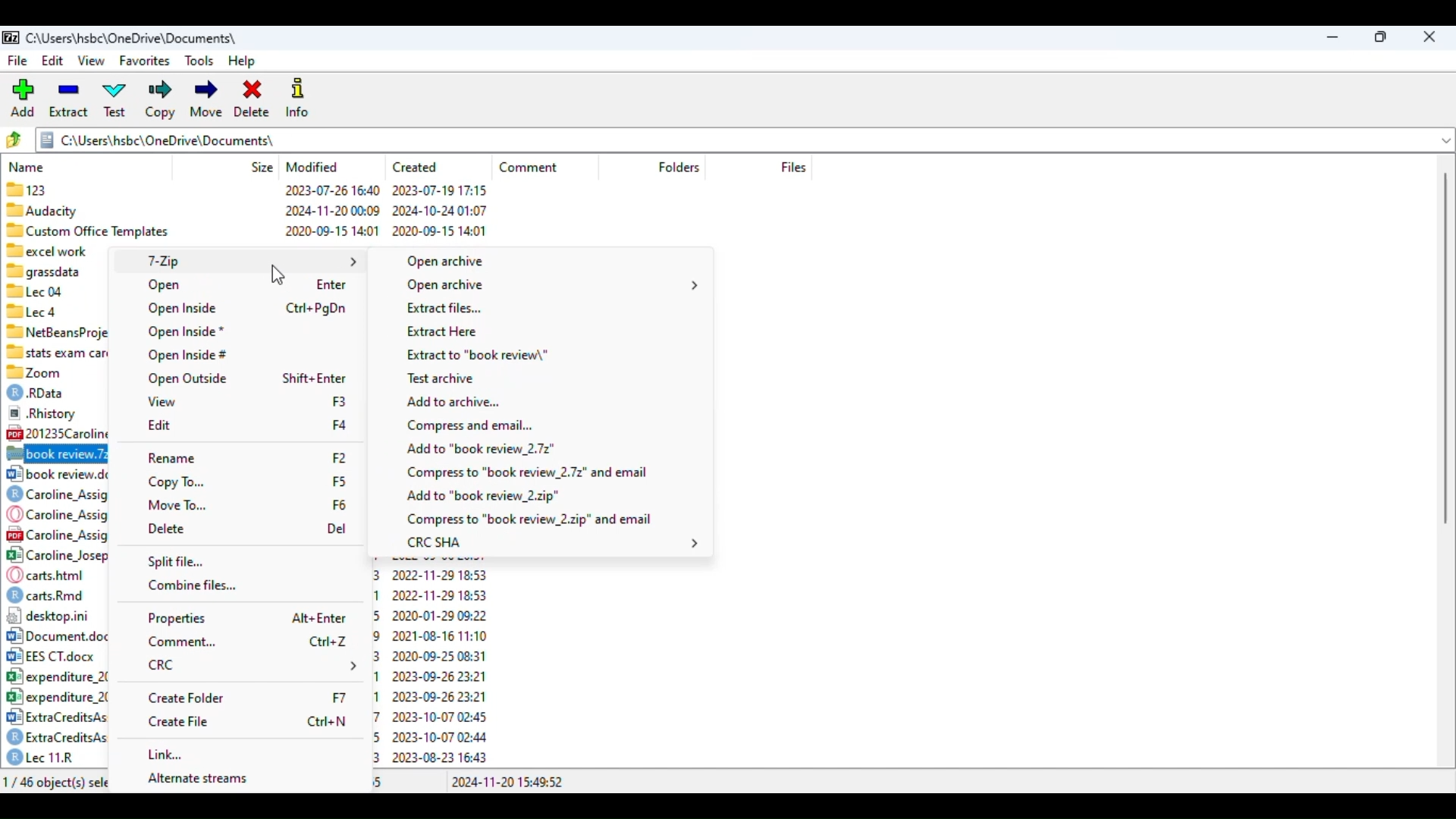  What do you see at coordinates (57, 656) in the screenshot?
I see `[+2 EES CT.docx 16886 2020-08-27 13:43 2020-09-25 08:31` at bounding box center [57, 656].